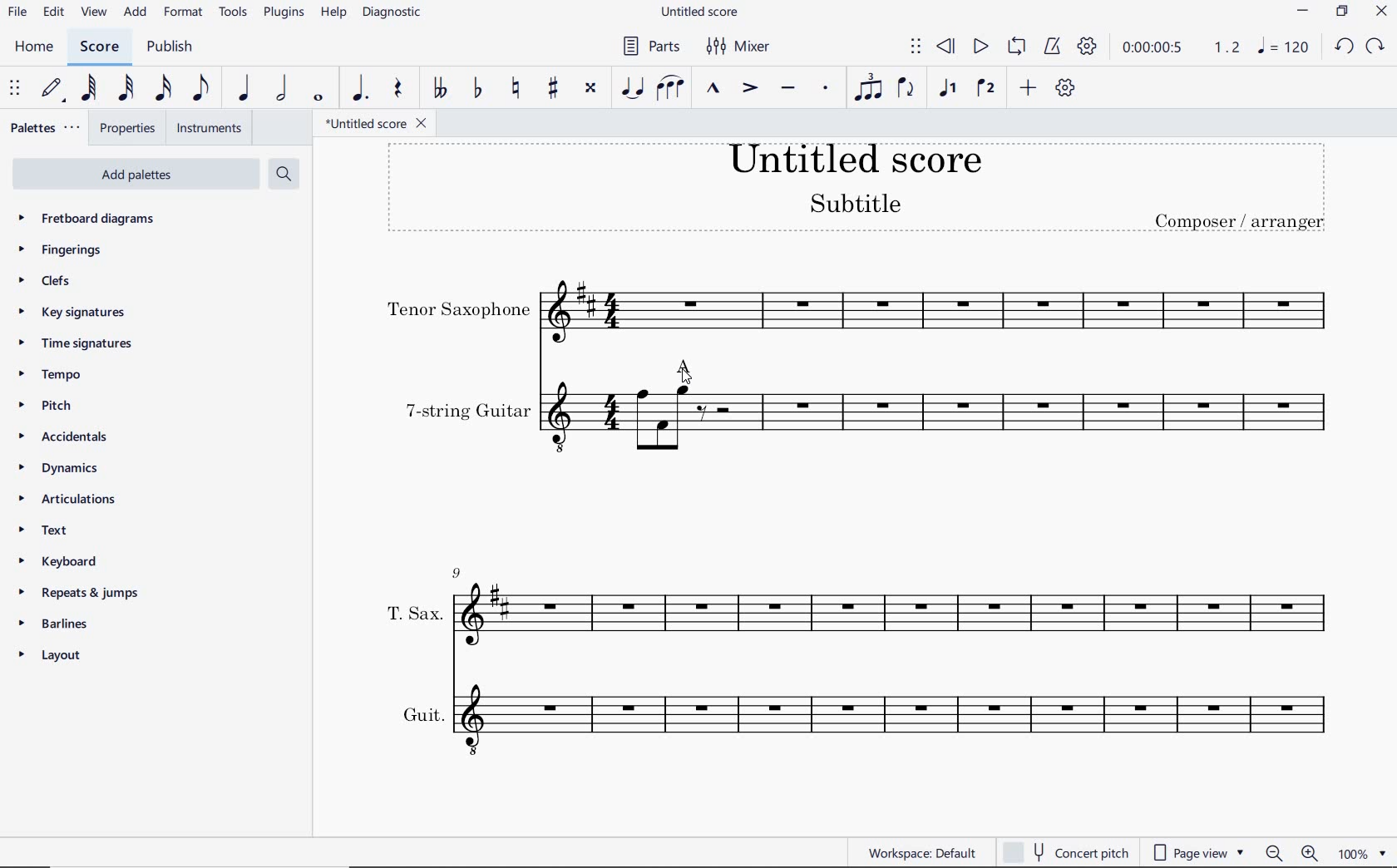 The width and height of the screenshot is (1397, 868). I want to click on PUBLISH, so click(173, 45).